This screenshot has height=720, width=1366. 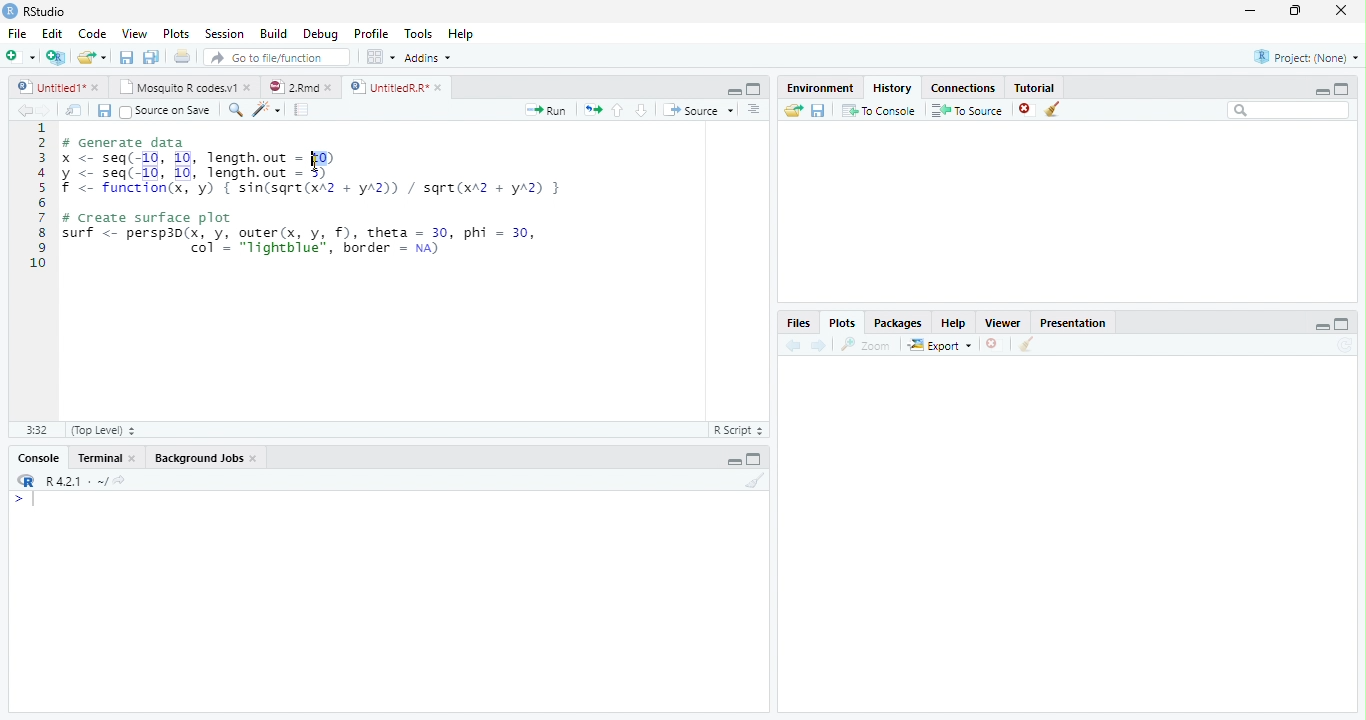 What do you see at coordinates (818, 110) in the screenshot?
I see `Save history into a file` at bounding box center [818, 110].